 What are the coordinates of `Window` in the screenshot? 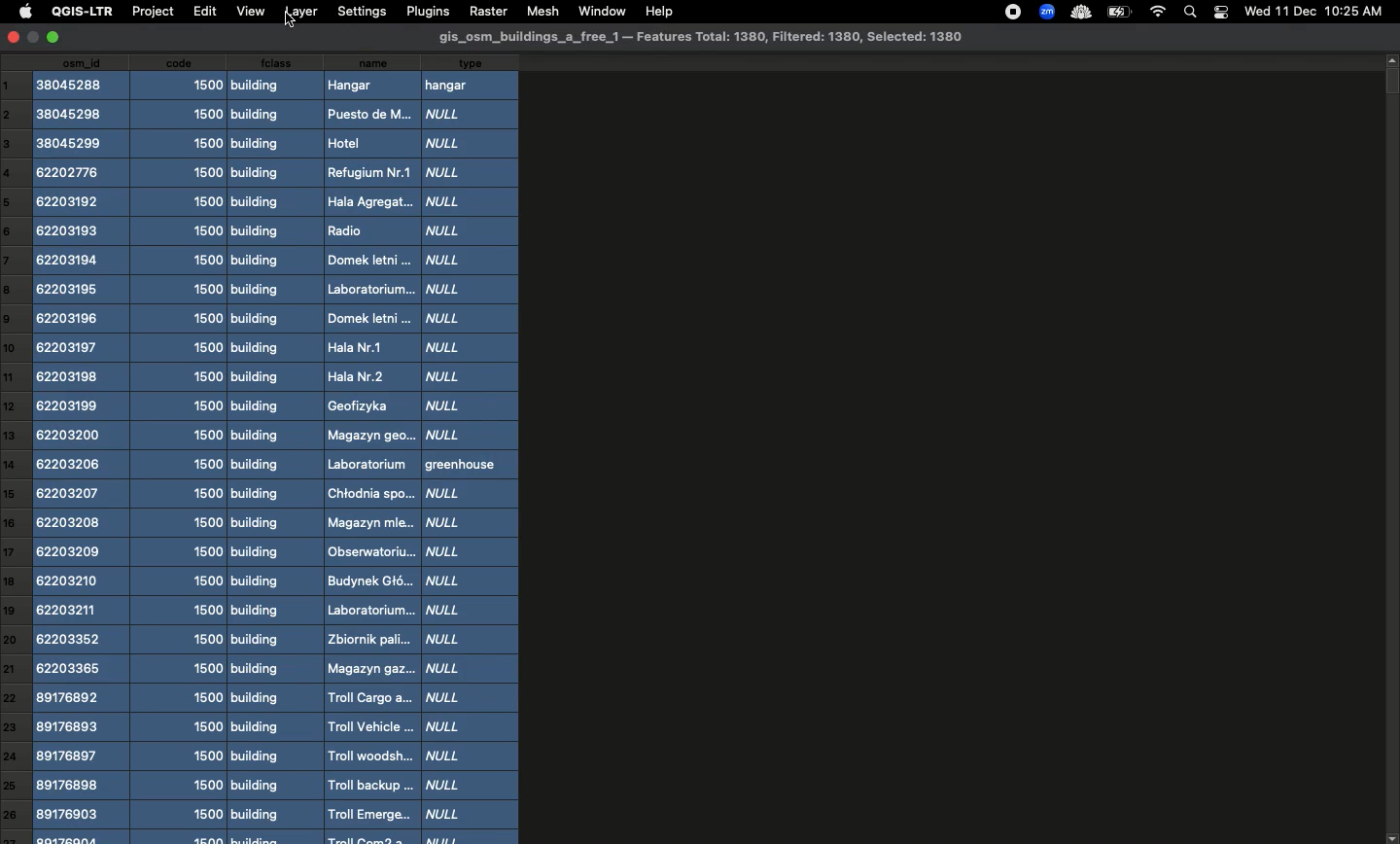 It's located at (599, 10).